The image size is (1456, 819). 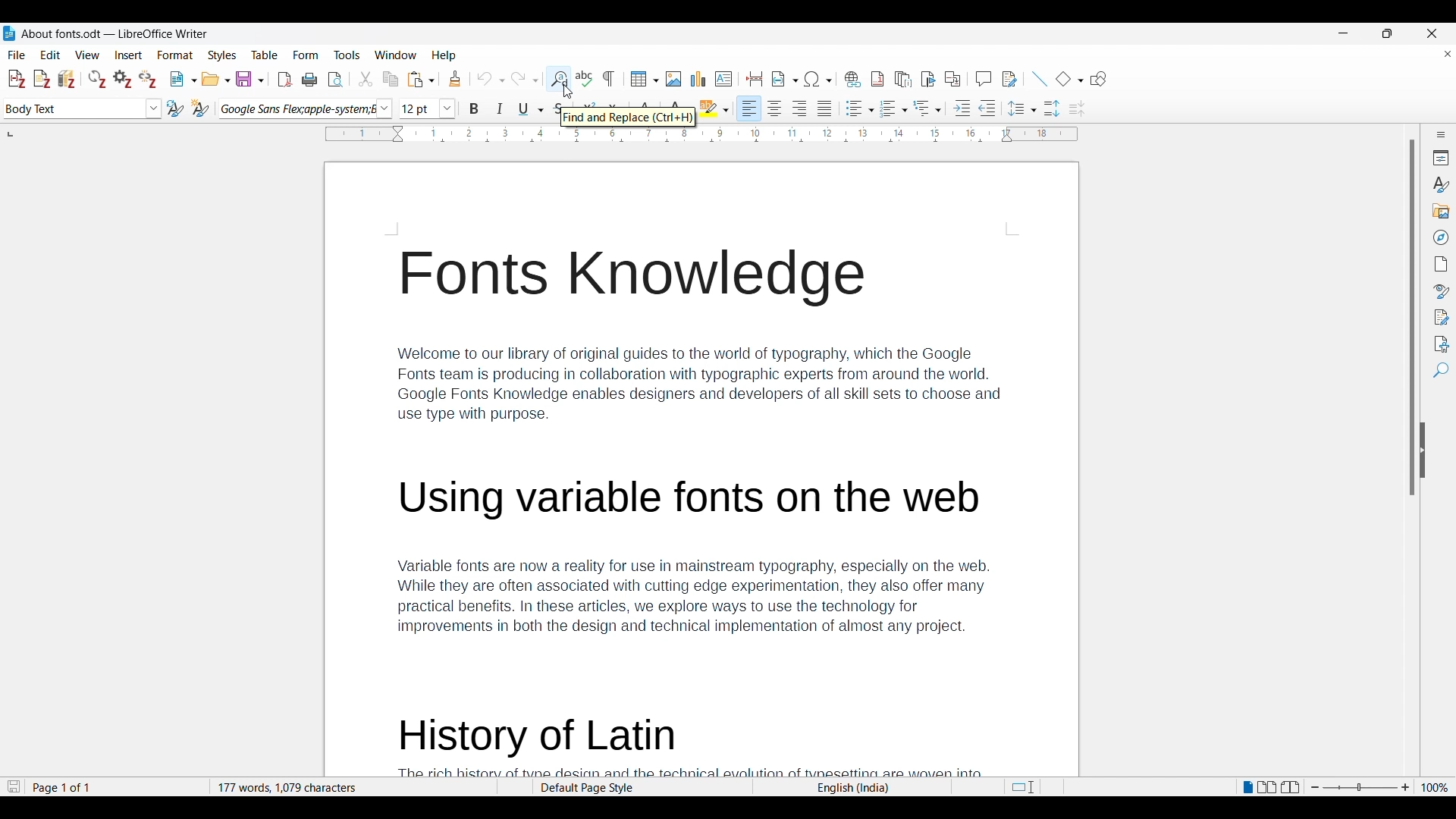 I want to click on Standard selection, so click(x=1022, y=787).